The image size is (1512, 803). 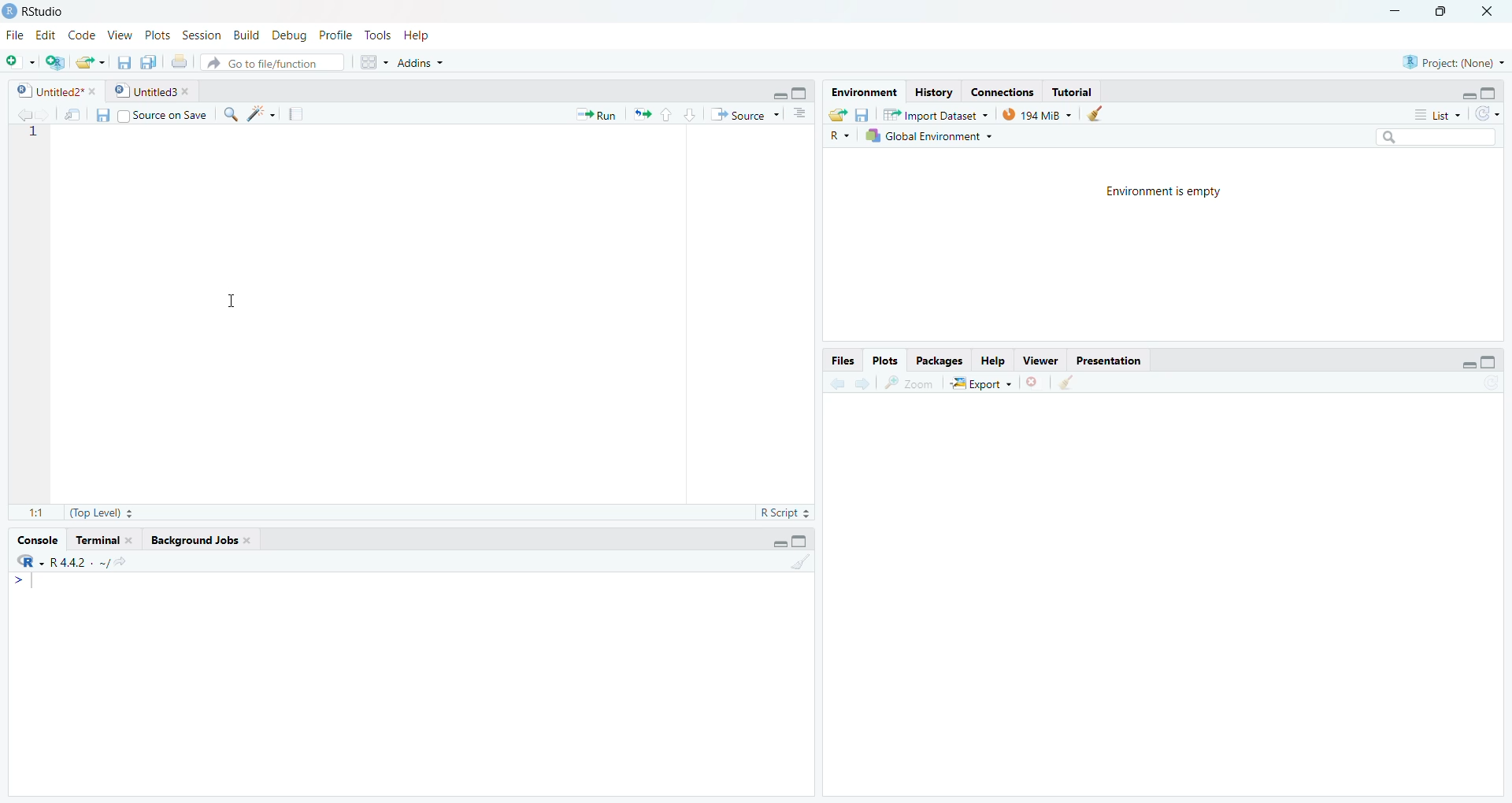 What do you see at coordinates (1490, 113) in the screenshot?
I see `Refresh theme` at bounding box center [1490, 113].